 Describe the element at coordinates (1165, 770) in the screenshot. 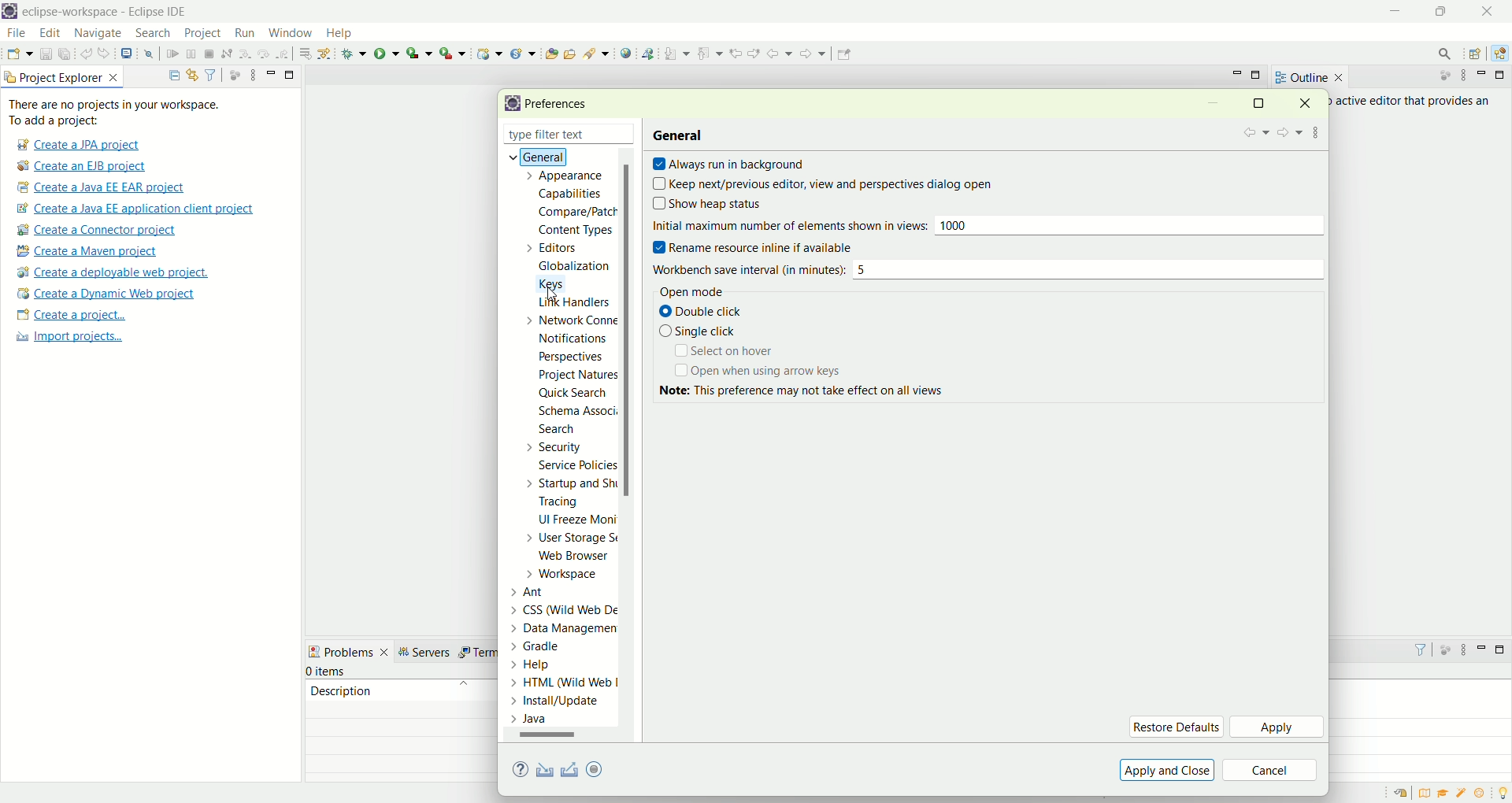

I see `apply and close` at that location.